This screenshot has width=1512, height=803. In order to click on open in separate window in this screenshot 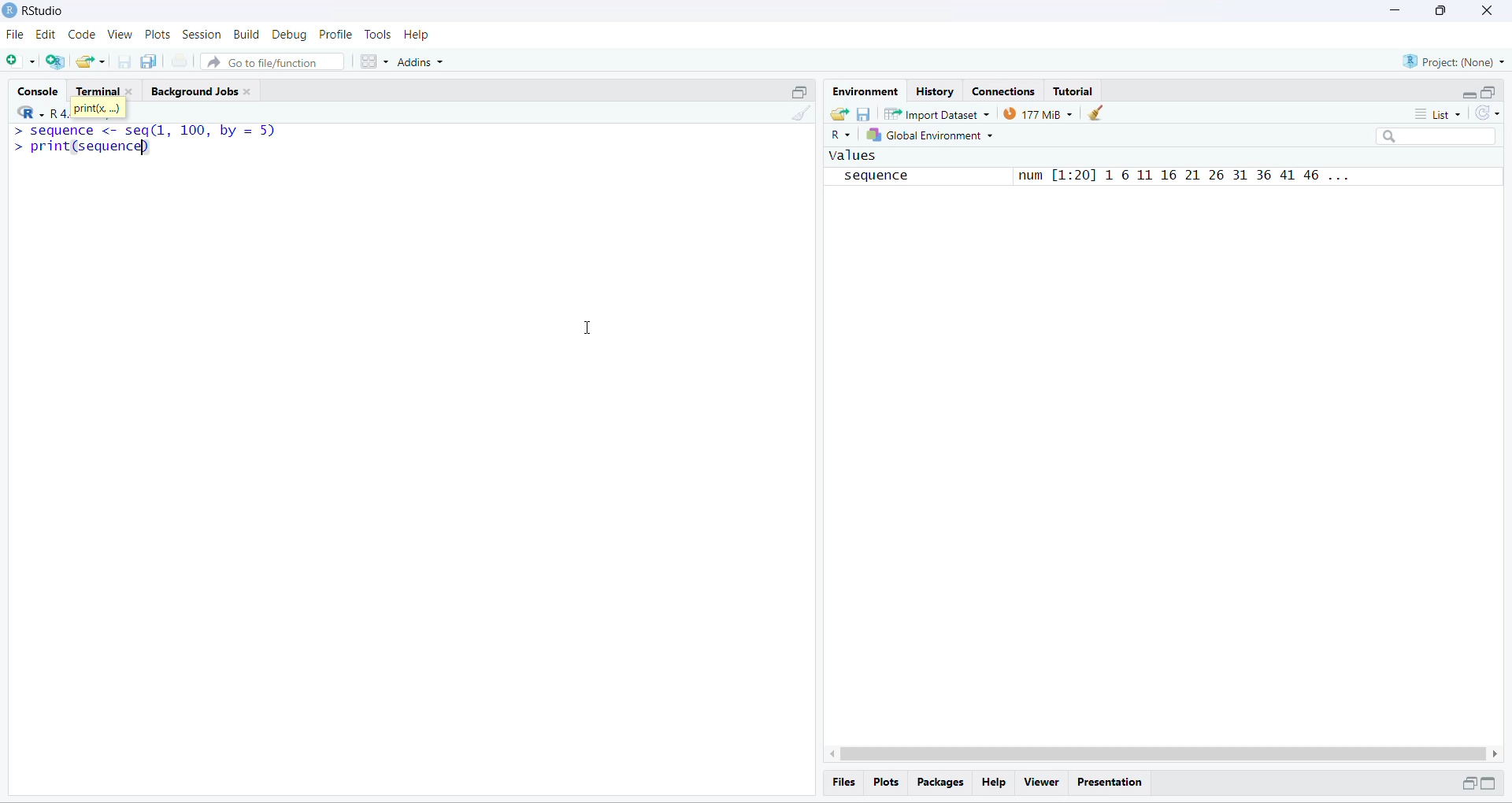, I will do `click(1490, 92)`.